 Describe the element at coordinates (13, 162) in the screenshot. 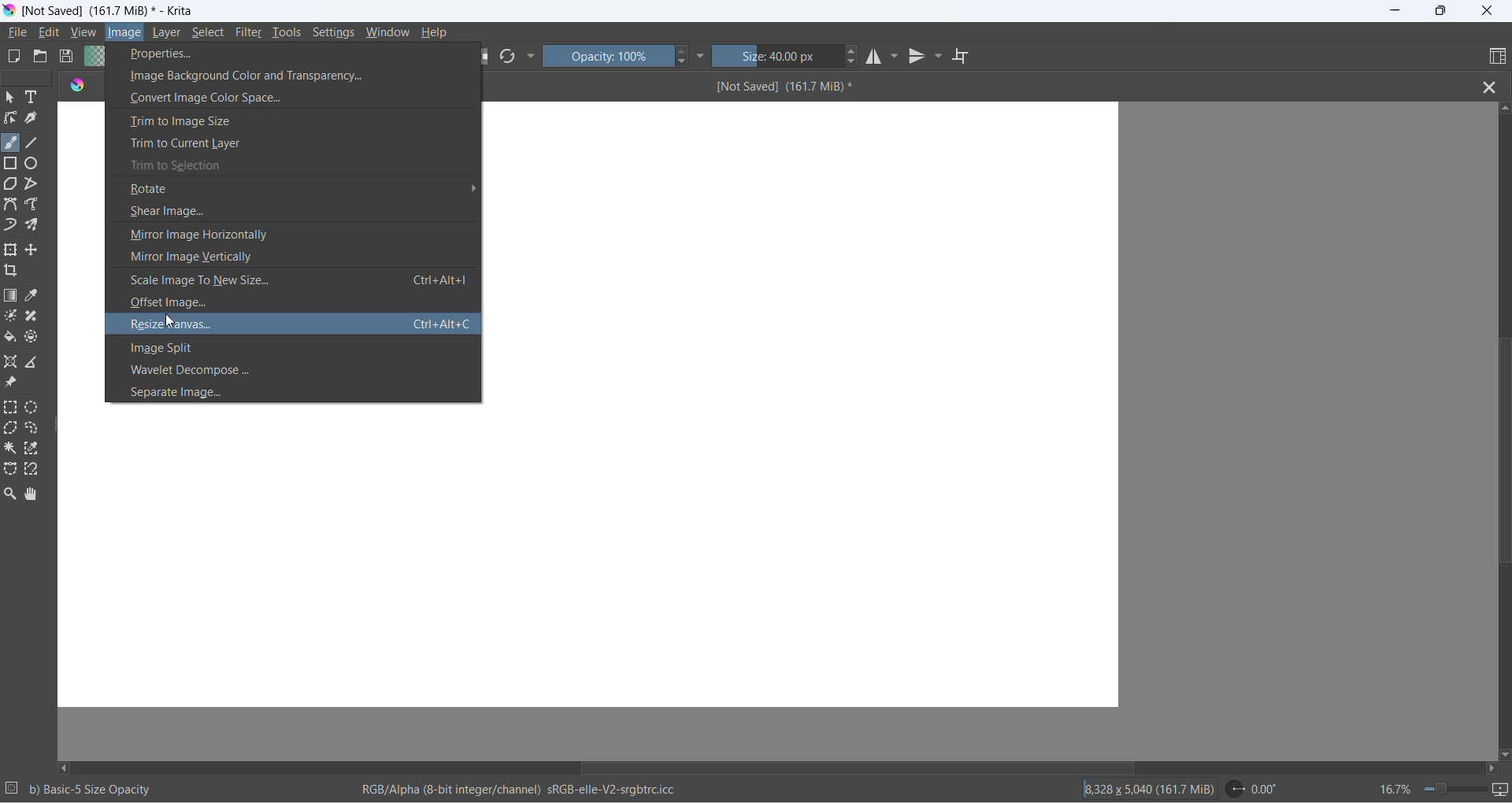

I see `rectangle tool` at that location.